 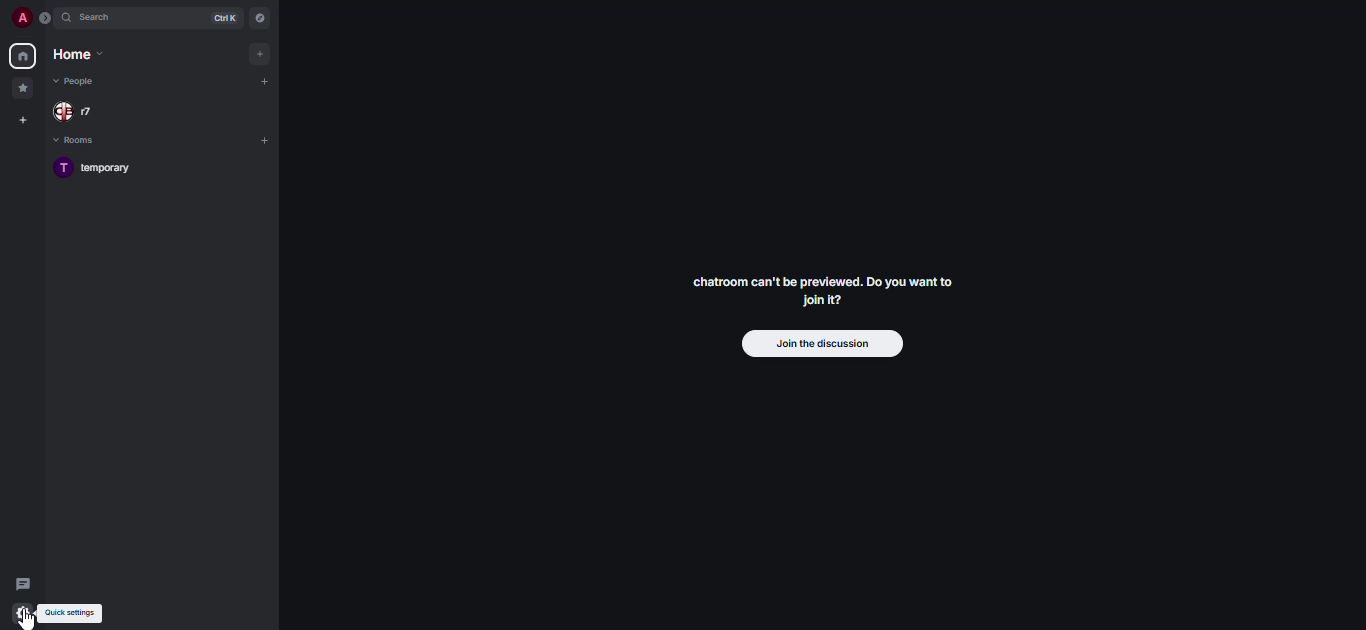 I want to click on create space, so click(x=24, y=121).